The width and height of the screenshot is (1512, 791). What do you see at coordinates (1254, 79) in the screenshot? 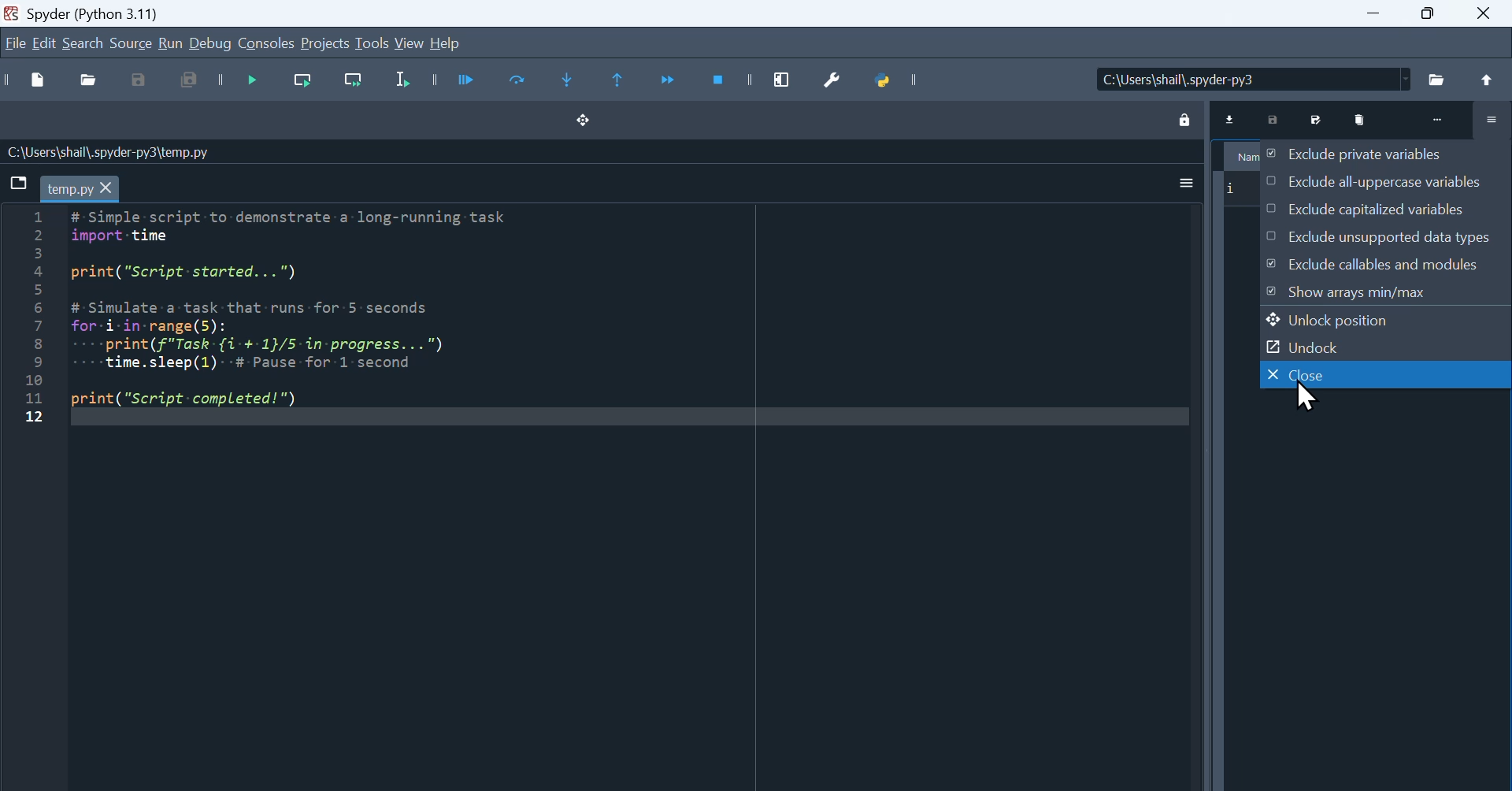
I see `Locations of the file` at bounding box center [1254, 79].